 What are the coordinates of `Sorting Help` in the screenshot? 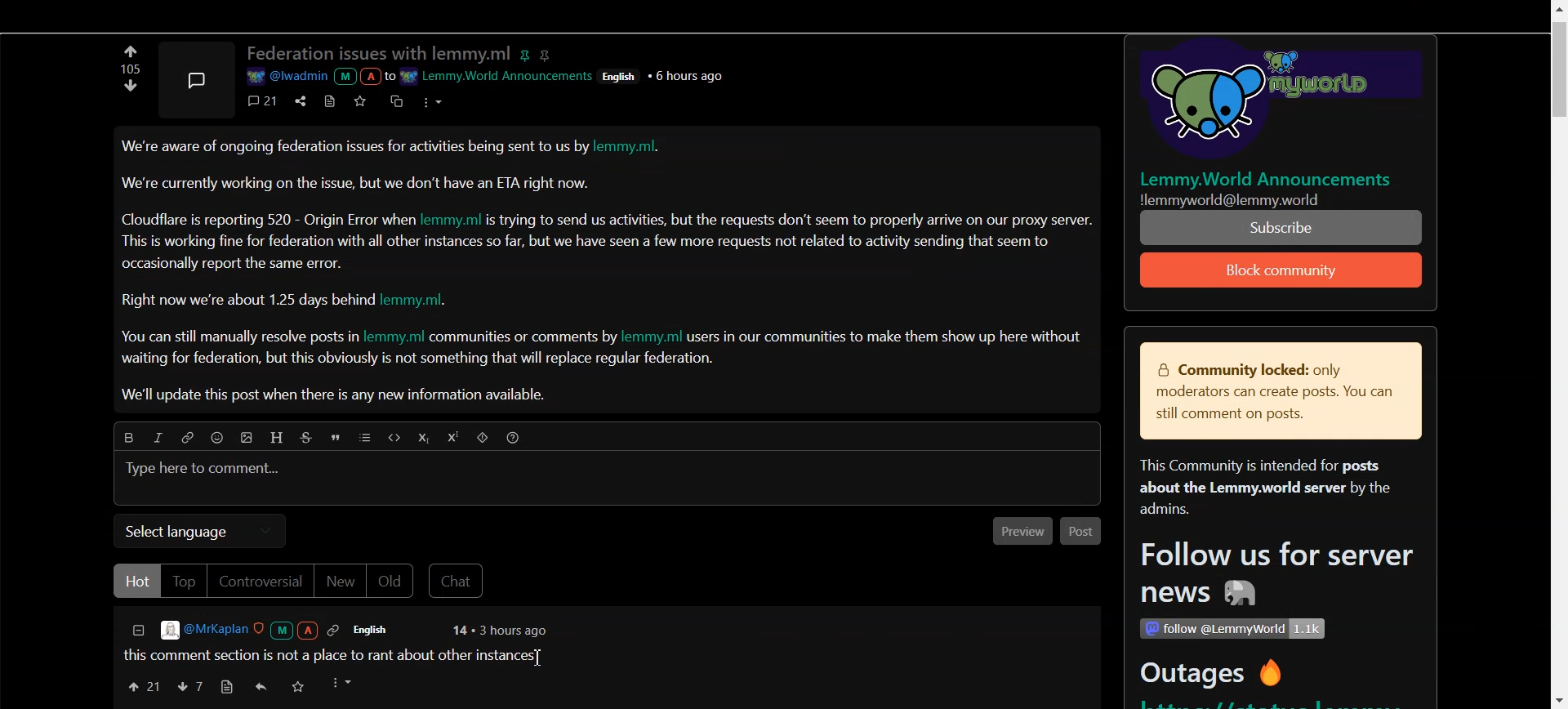 It's located at (514, 437).